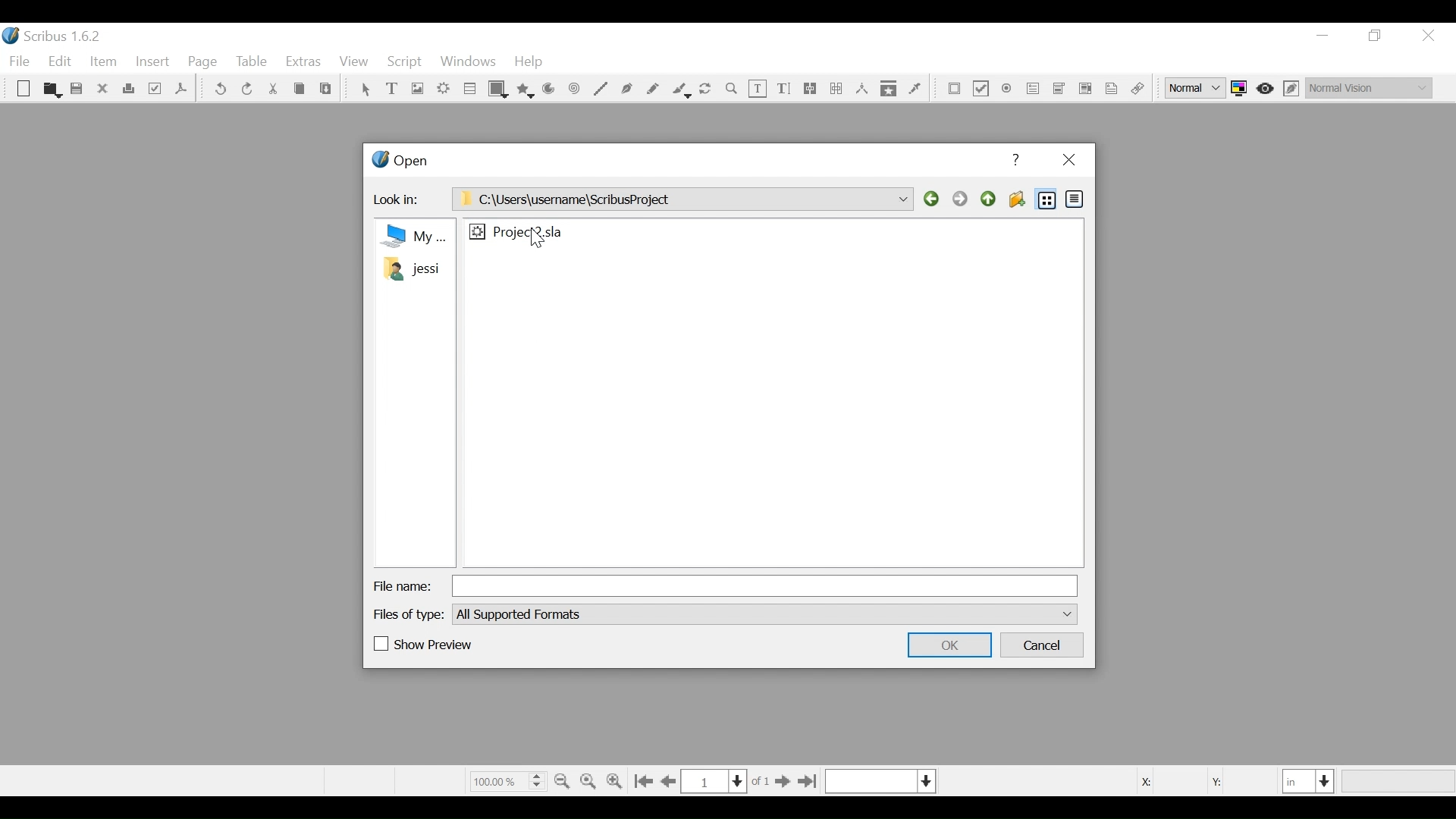 This screenshot has height=819, width=1456. What do you see at coordinates (1293, 88) in the screenshot?
I see `Edit in Preview mode` at bounding box center [1293, 88].